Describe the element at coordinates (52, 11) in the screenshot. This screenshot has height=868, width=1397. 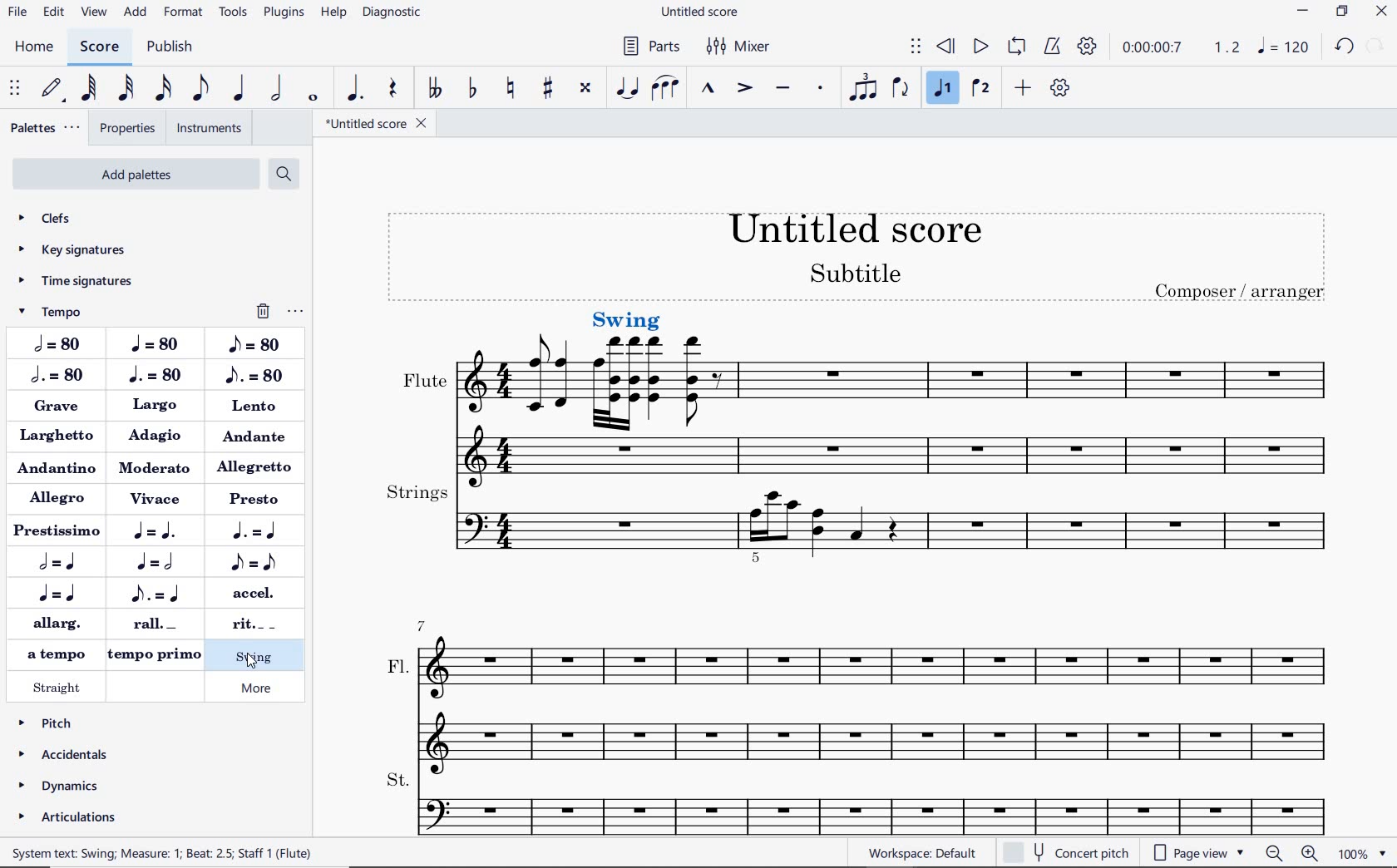
I see `edit` at that location.